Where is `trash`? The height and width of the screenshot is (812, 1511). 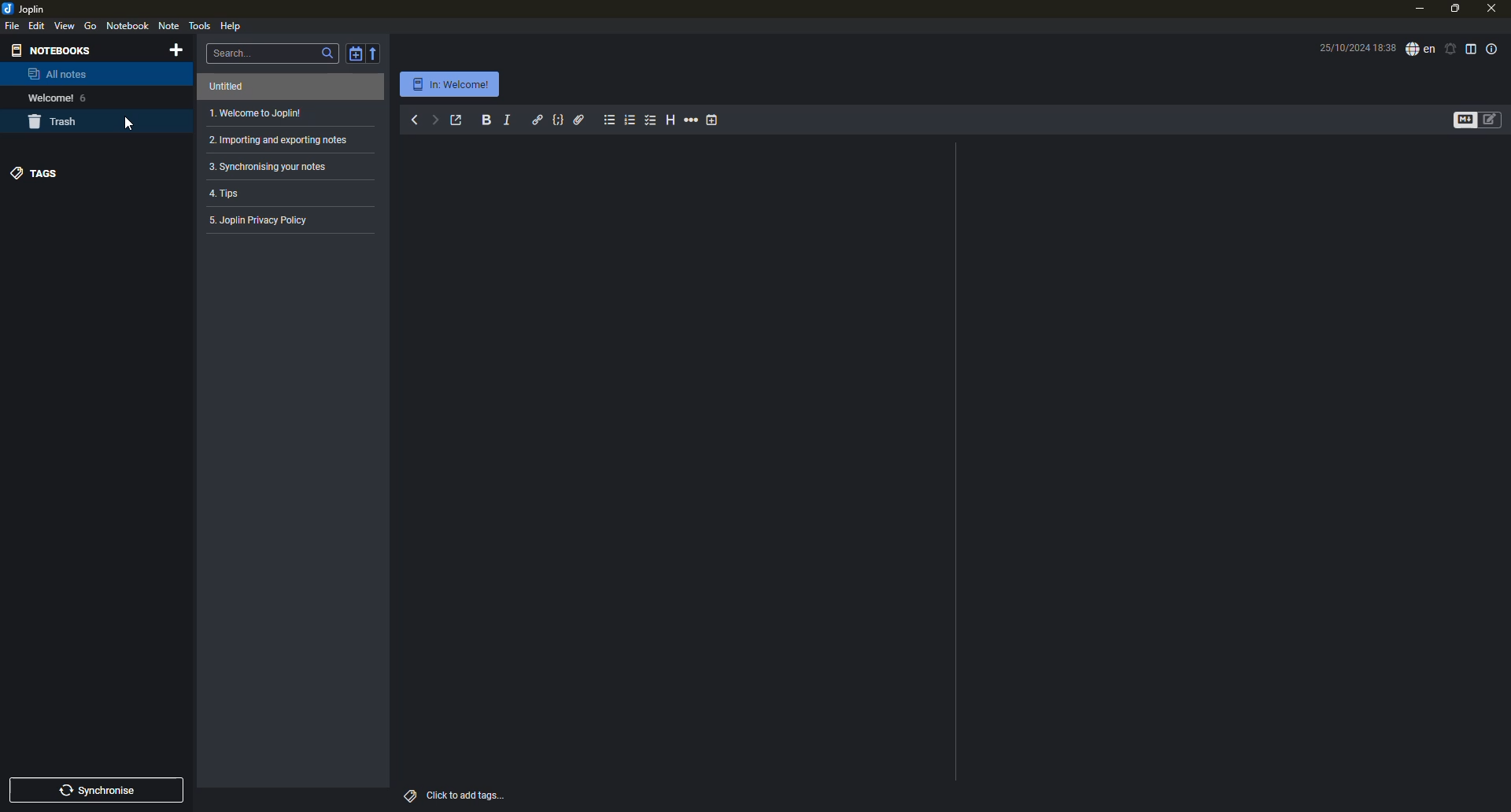
trash is located at coordinates (57, 123).